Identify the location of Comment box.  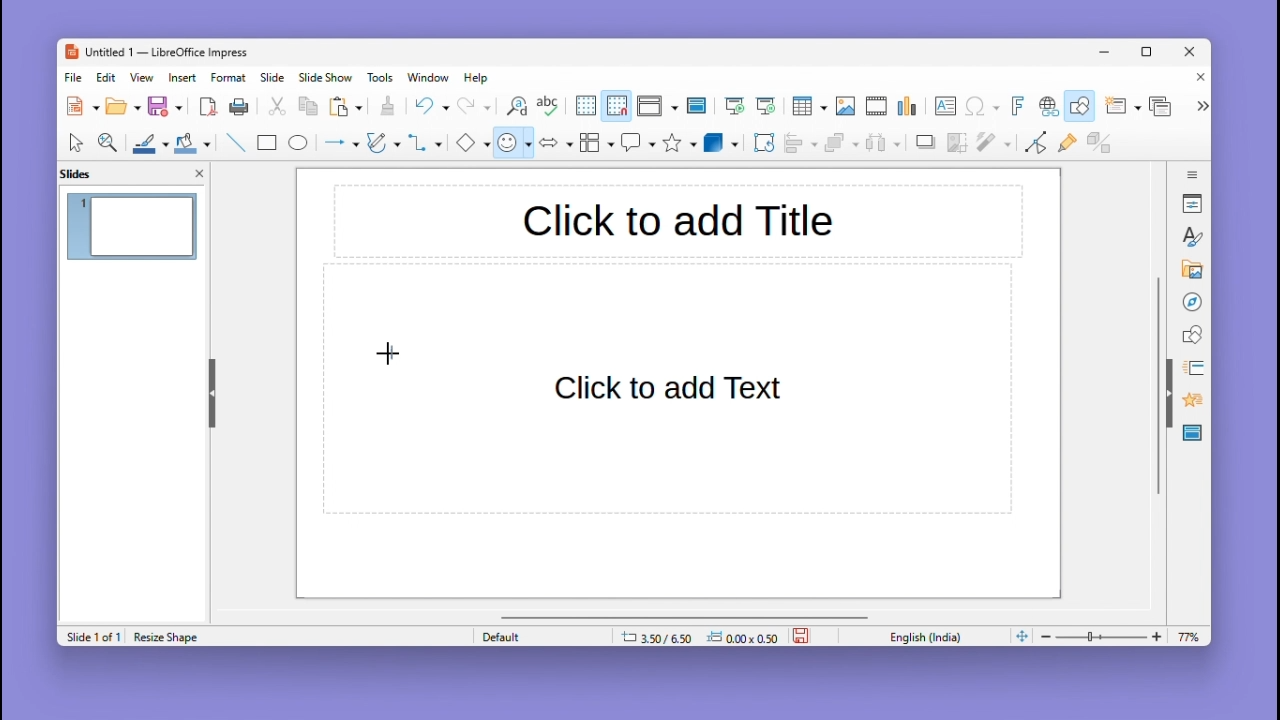
(638, 142).